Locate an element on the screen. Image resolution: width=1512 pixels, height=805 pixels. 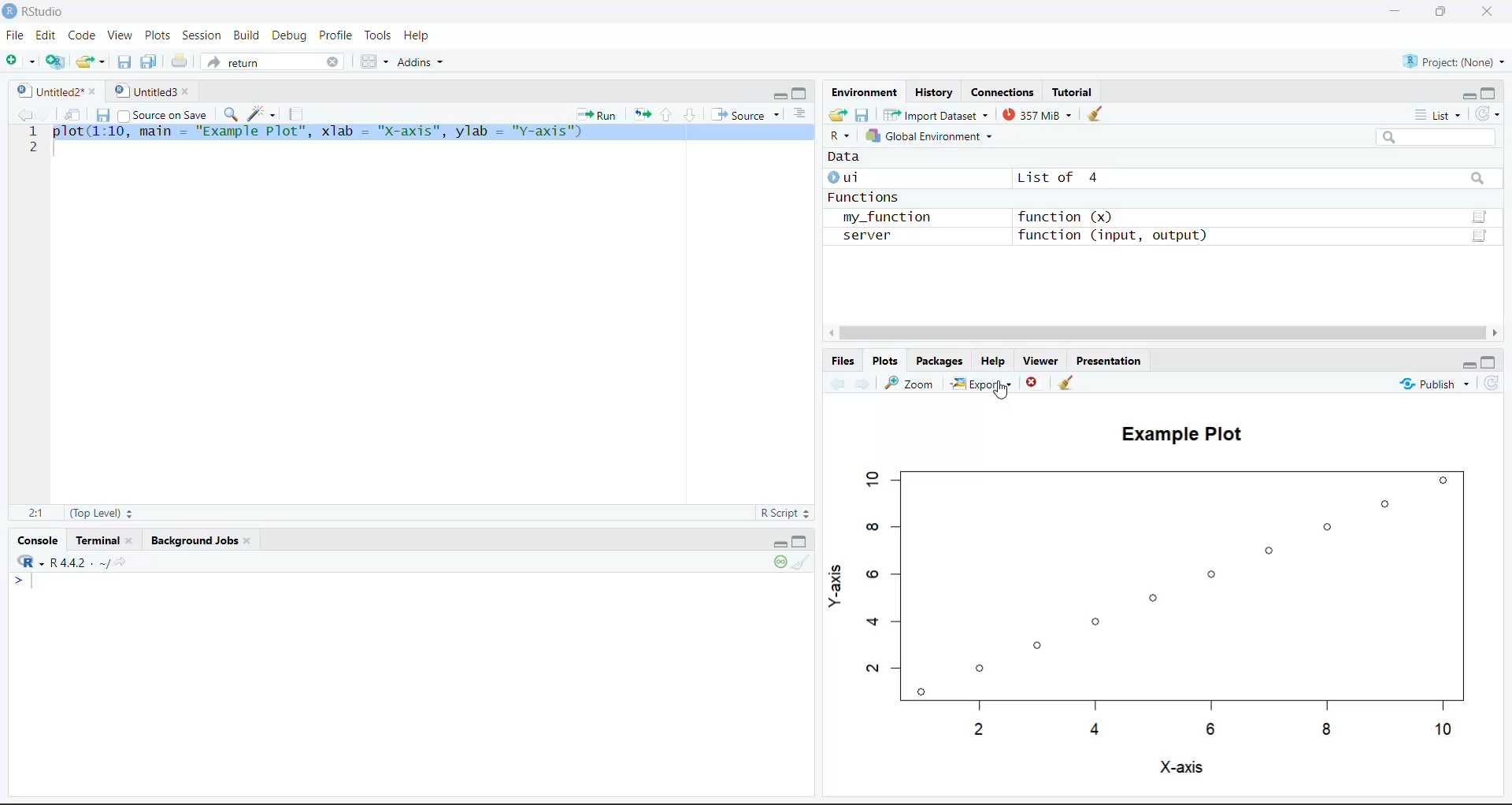
Go back to the previous source location (Ctrl + F9) is located at coordinates (836, 383).